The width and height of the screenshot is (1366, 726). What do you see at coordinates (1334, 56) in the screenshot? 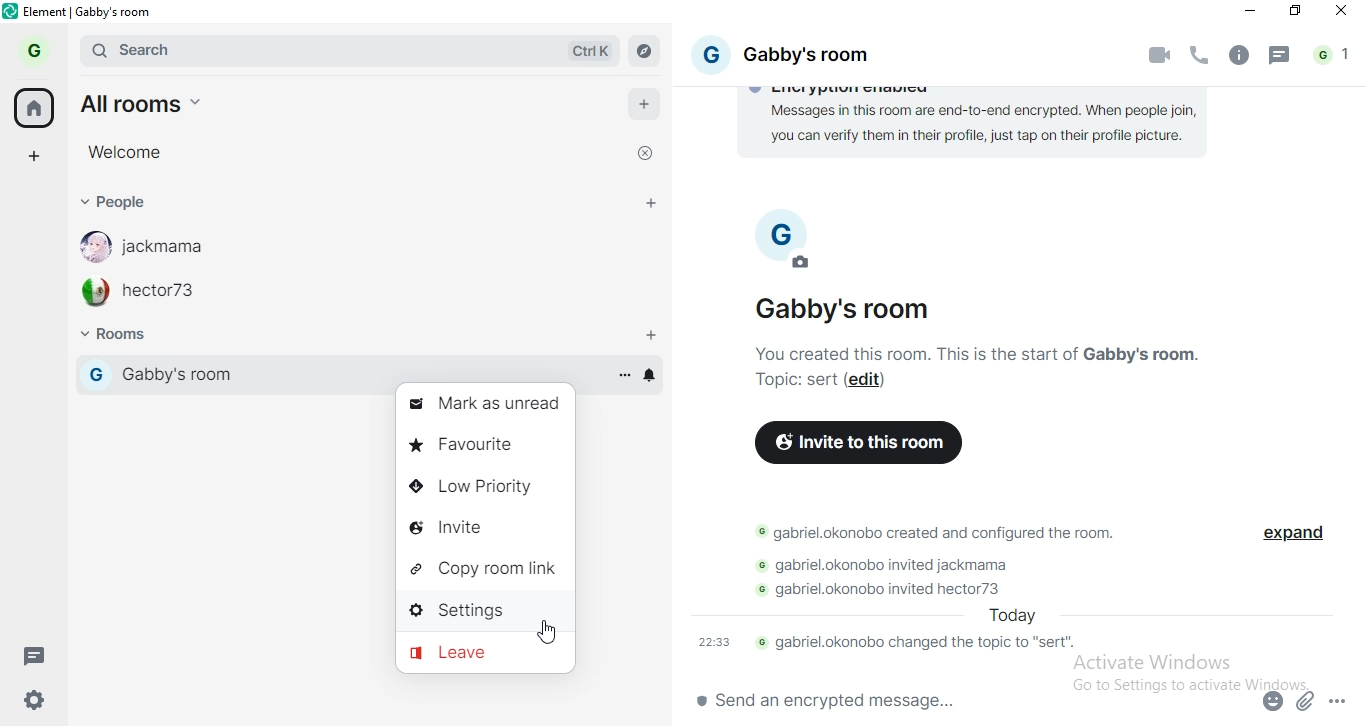
I see `notification` at bounding box center [1334, 56].